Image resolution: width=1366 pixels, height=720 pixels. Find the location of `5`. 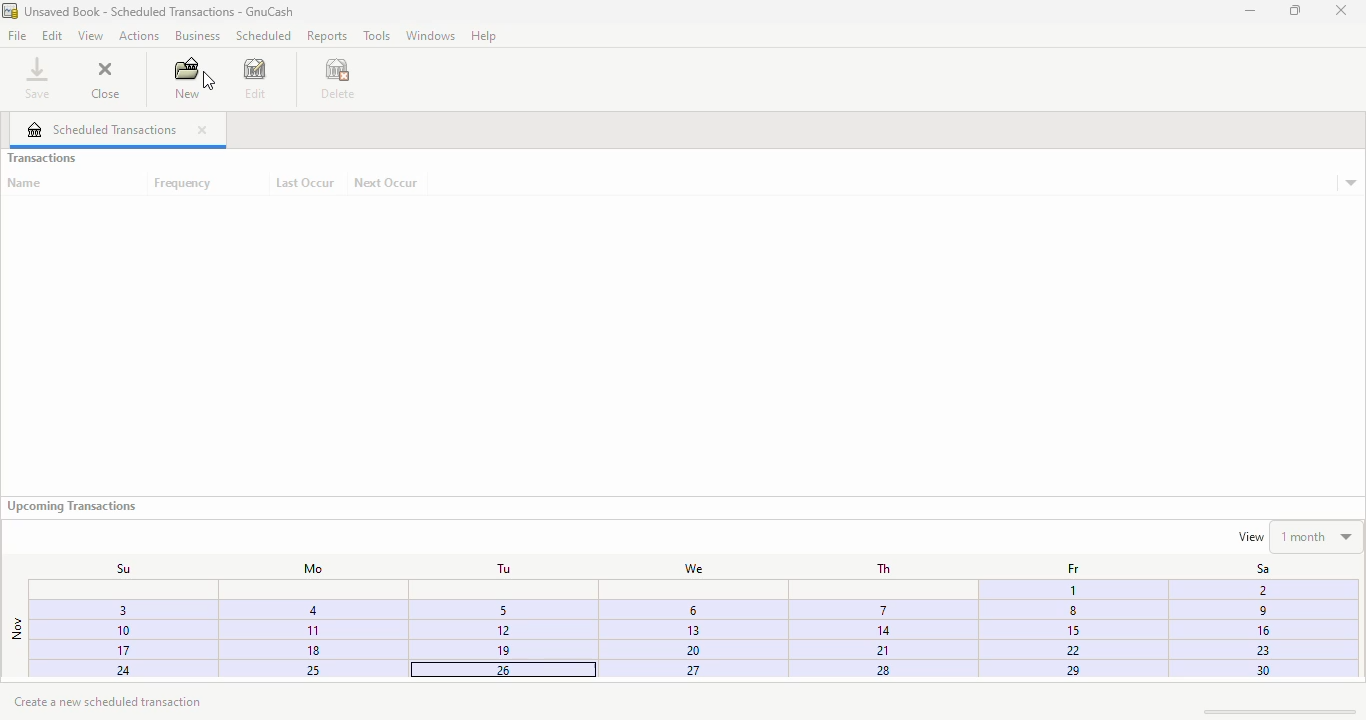

5 is located at coordinates (506, 608).